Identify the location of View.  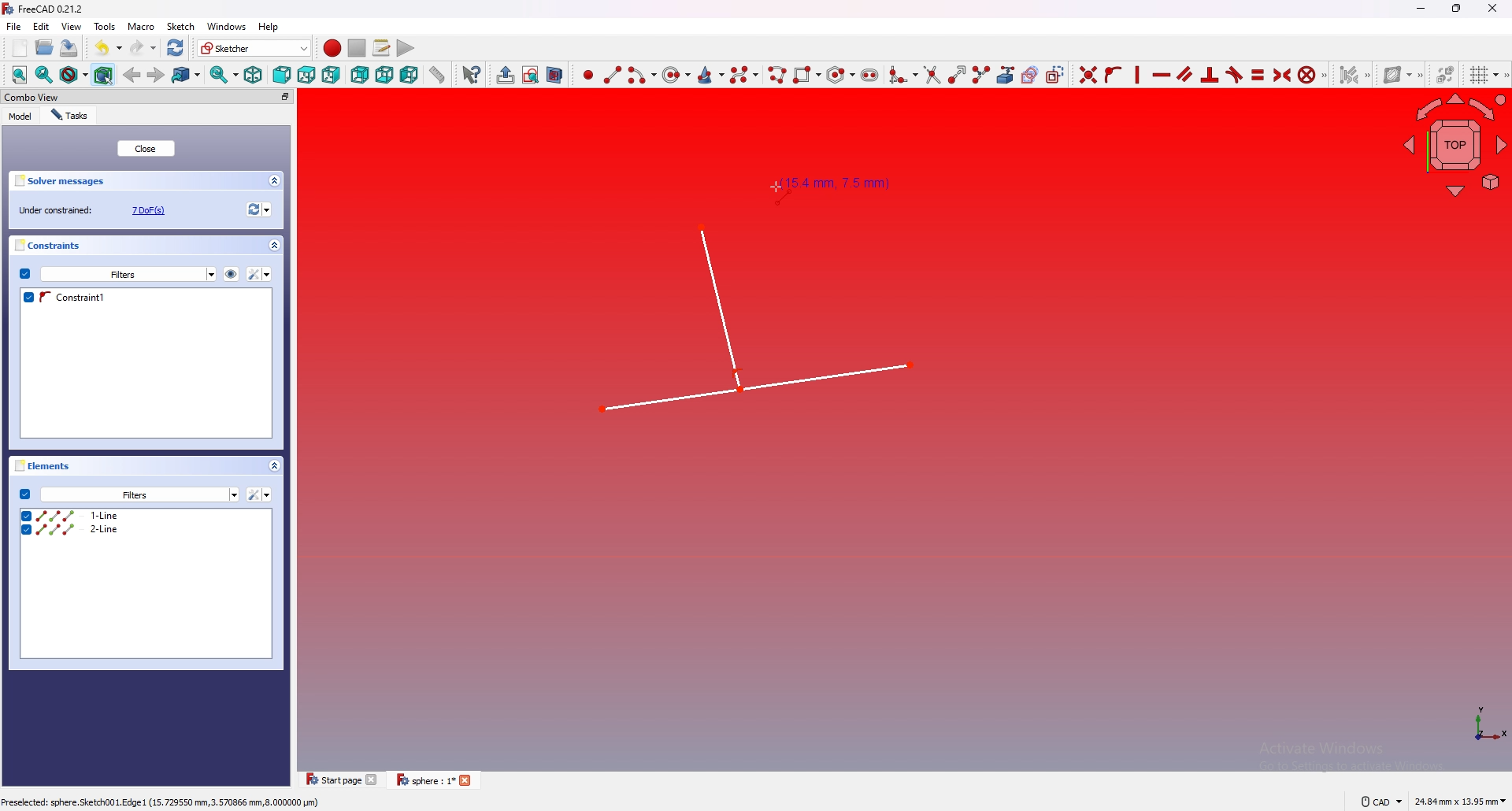
(72, 26).